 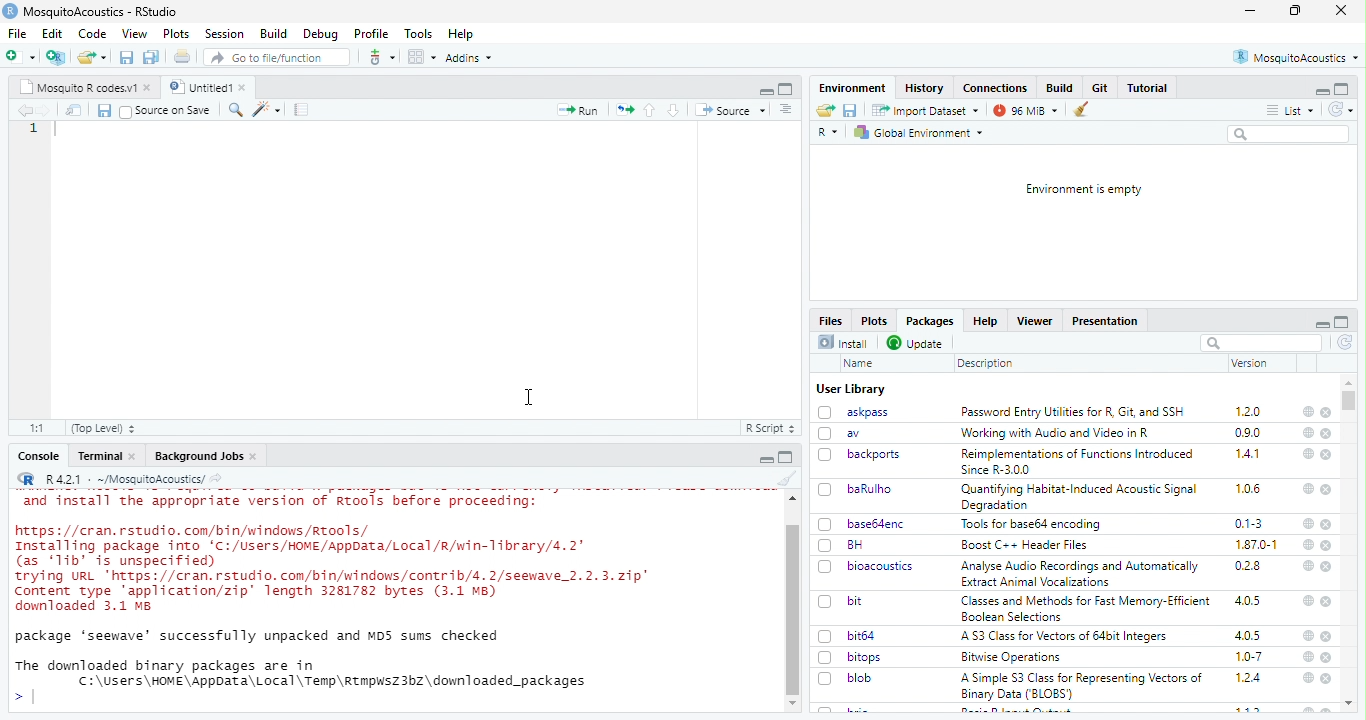 What do you see at coordinates (826, 603) in the screenshot?
I see `checkbox` at bounding box center [826, 603].